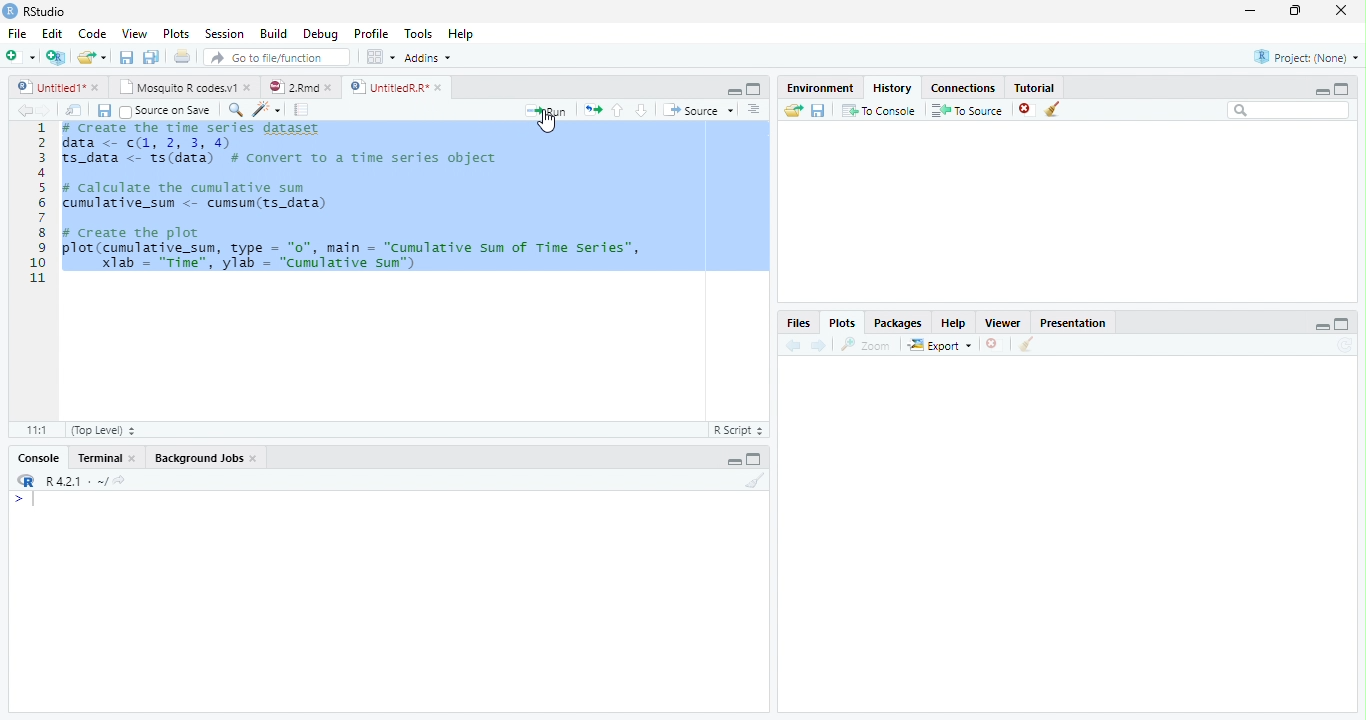  I want to click on History, so click(890, 88).